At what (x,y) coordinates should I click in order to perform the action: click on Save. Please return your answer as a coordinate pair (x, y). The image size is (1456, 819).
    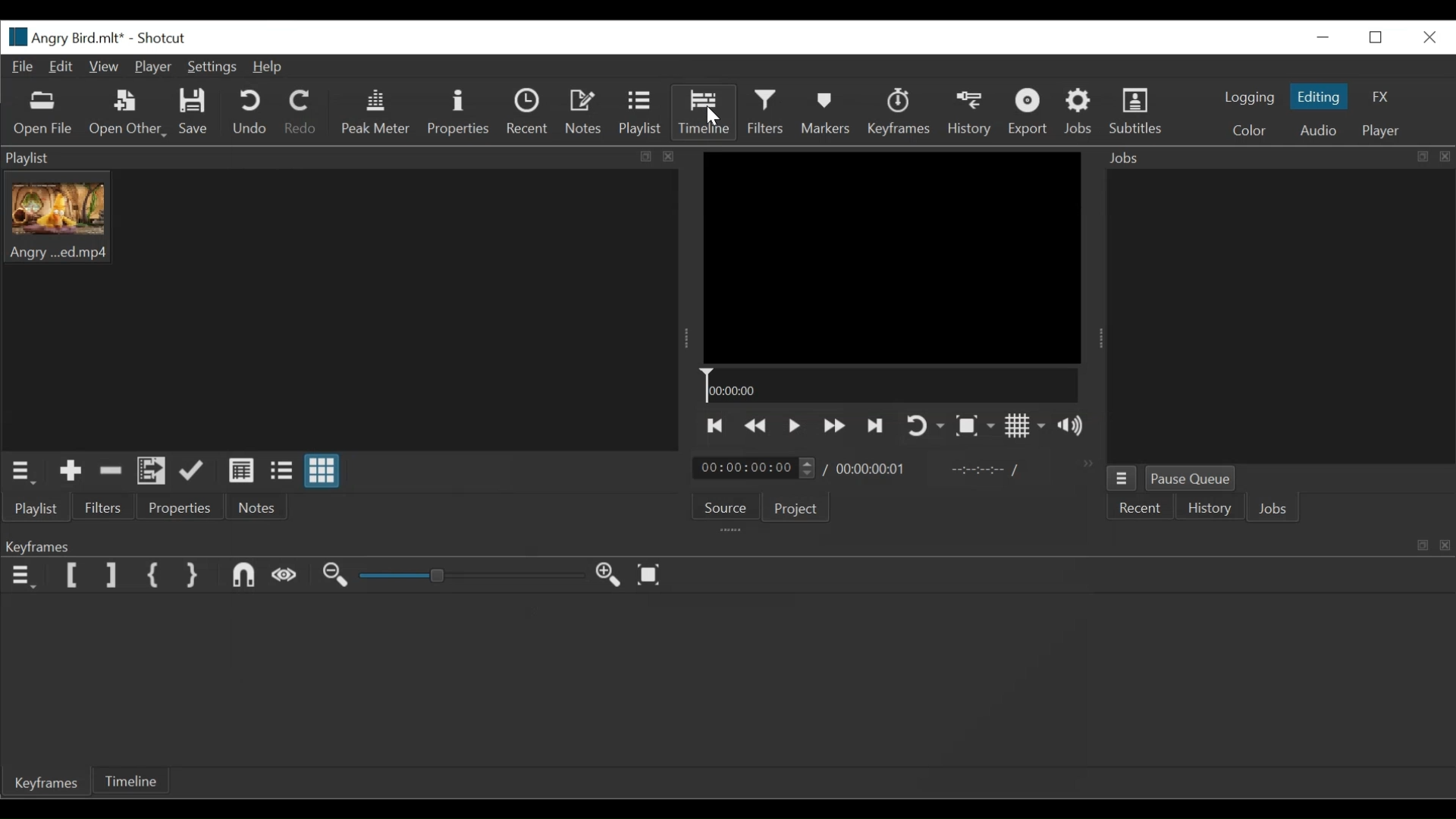
    Looking at the image, I should click on (196, 111).